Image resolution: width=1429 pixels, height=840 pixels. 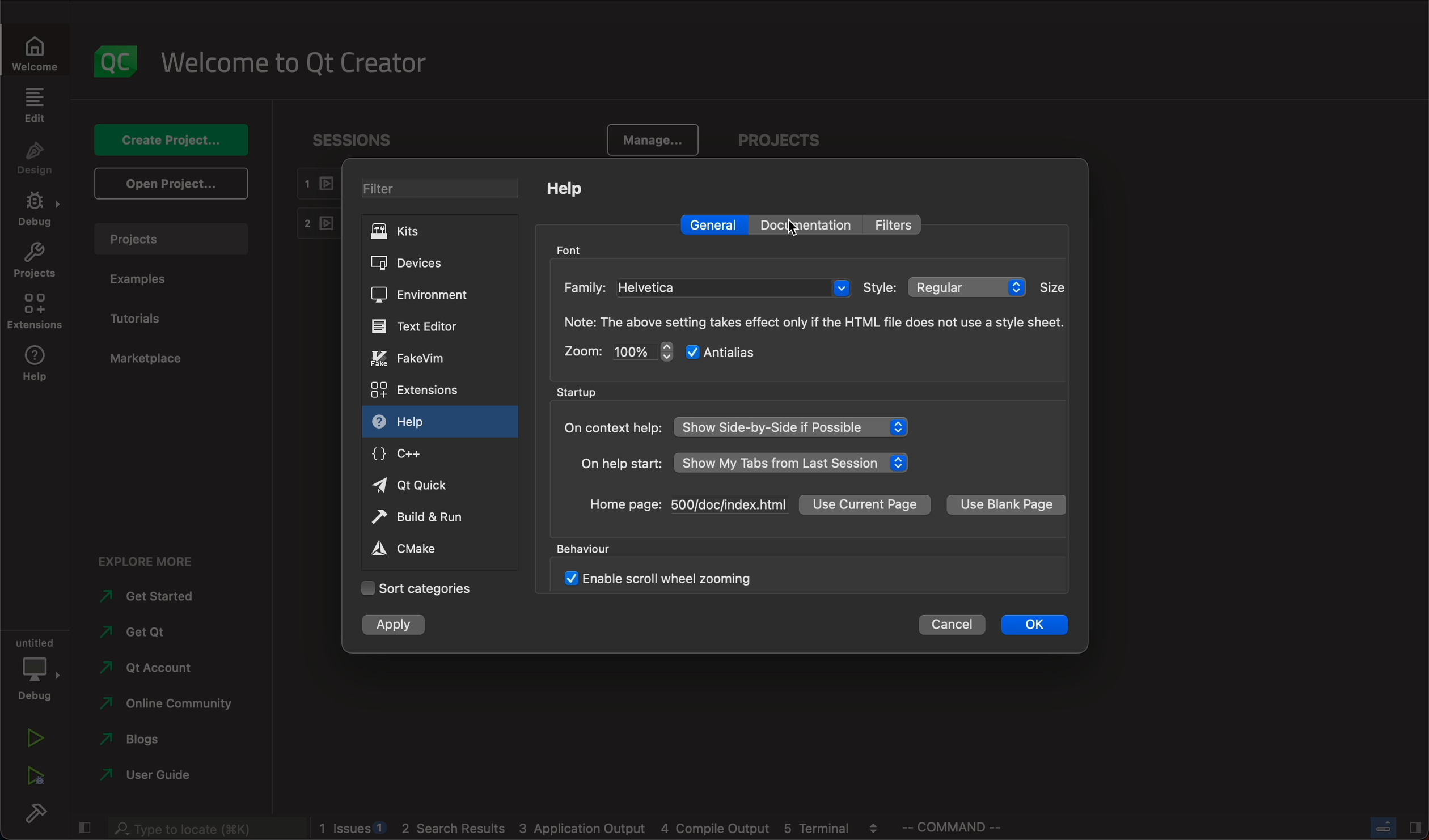 What do you see at coordinates (811, 321) in the screenshot?
I see `note` at bounding box center [811, 321].